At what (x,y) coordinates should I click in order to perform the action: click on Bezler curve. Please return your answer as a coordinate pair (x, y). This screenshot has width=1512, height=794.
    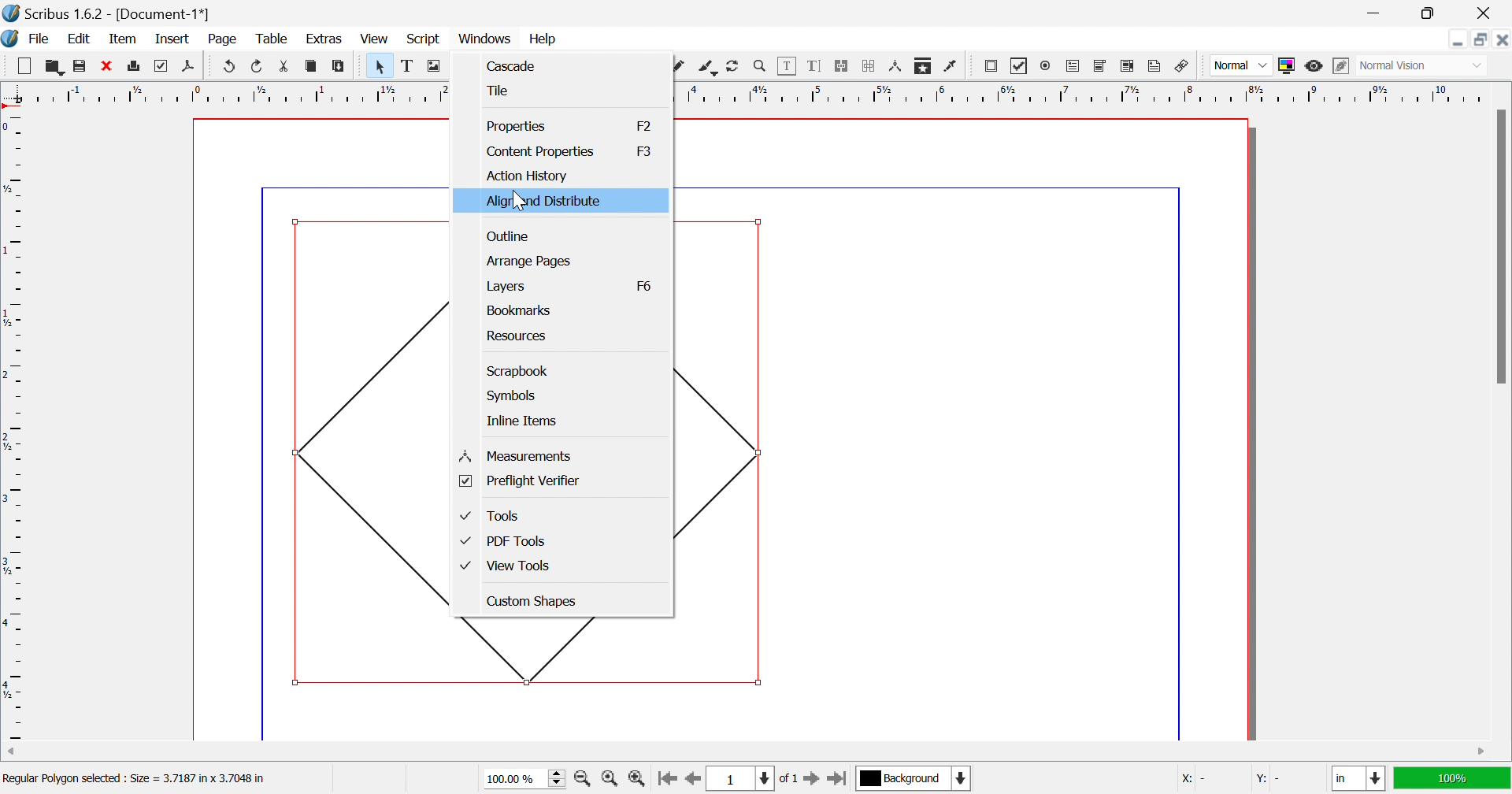
    Looking at the image, I should click on (653, 65).